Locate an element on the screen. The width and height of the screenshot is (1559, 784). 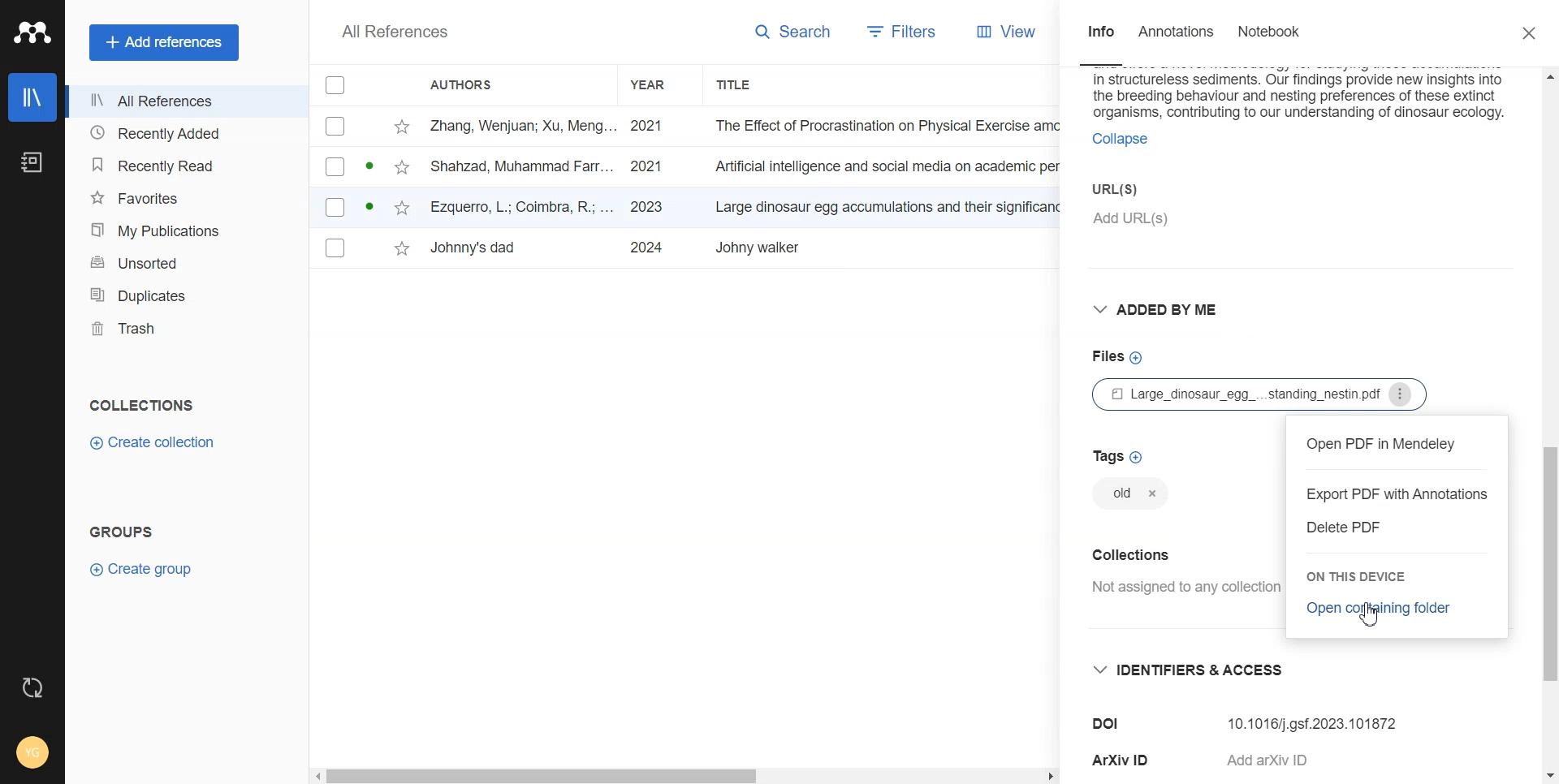
Title is located at coordinates (880, 164).